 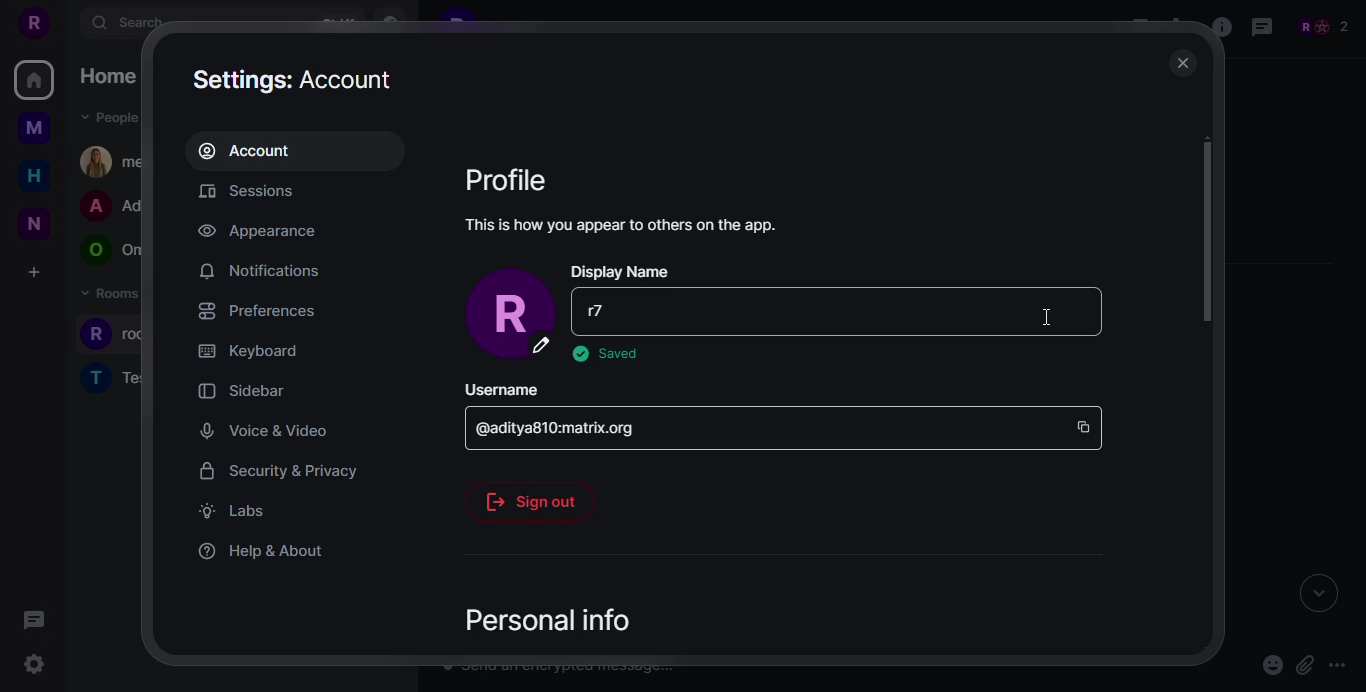 I want to click on rooms, so click(x=112, y=337).